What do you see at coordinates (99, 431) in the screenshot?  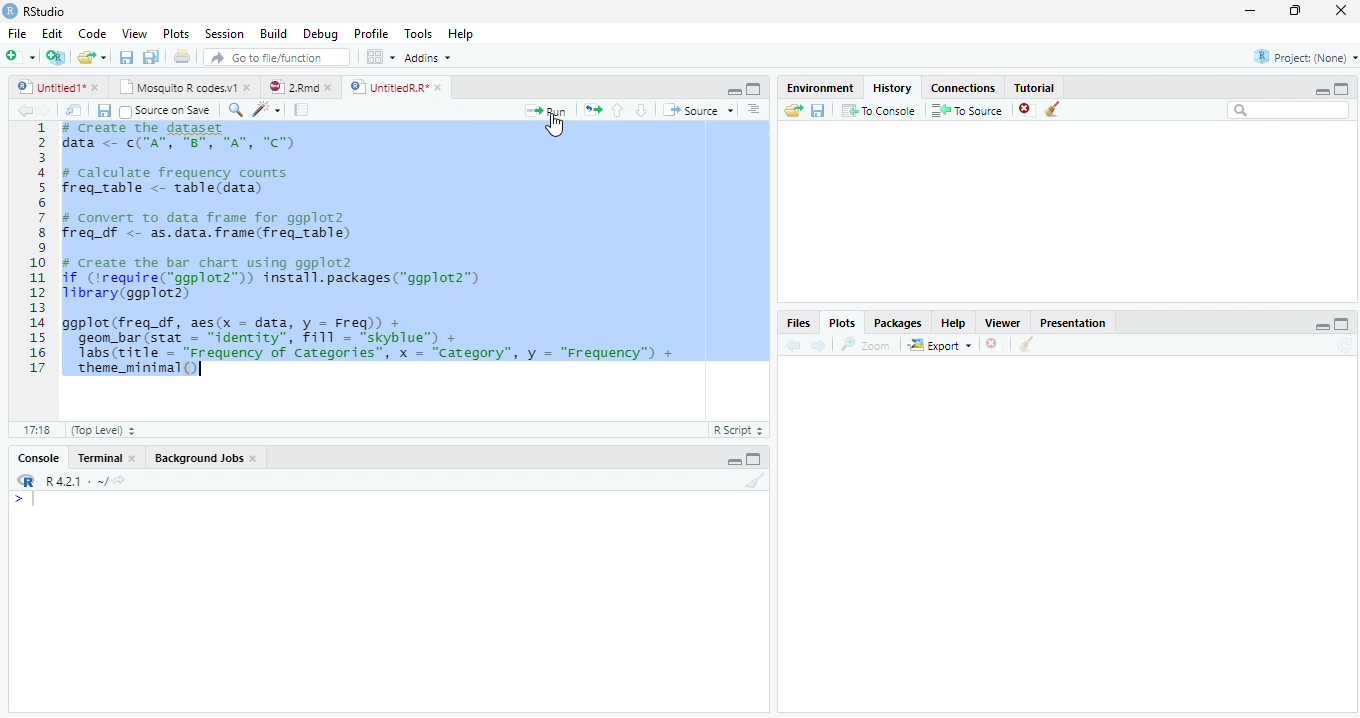 I see `Top level` at bounding box center [99, 431].